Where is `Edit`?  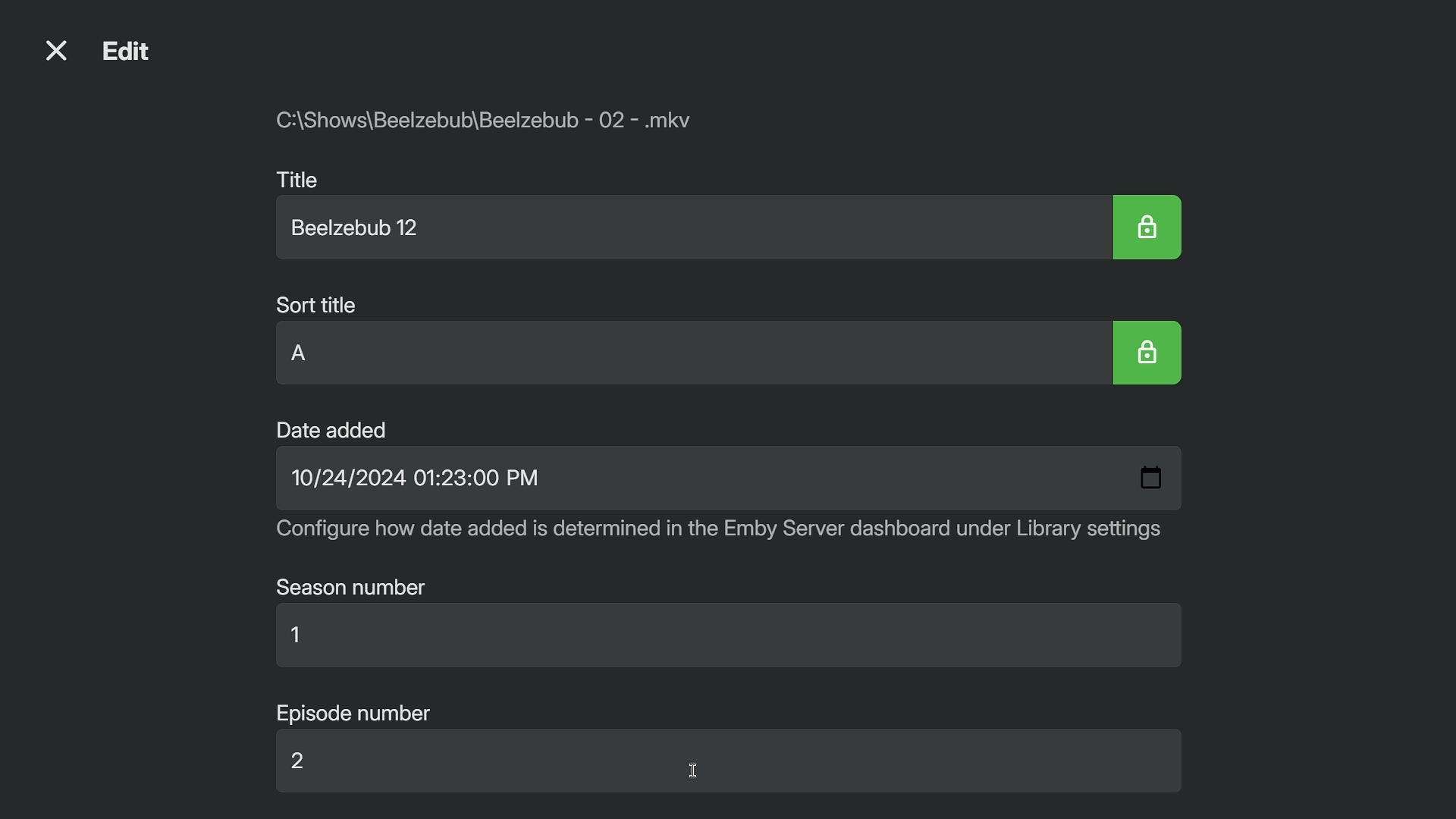
Edit is located at coordinates (133, 54).